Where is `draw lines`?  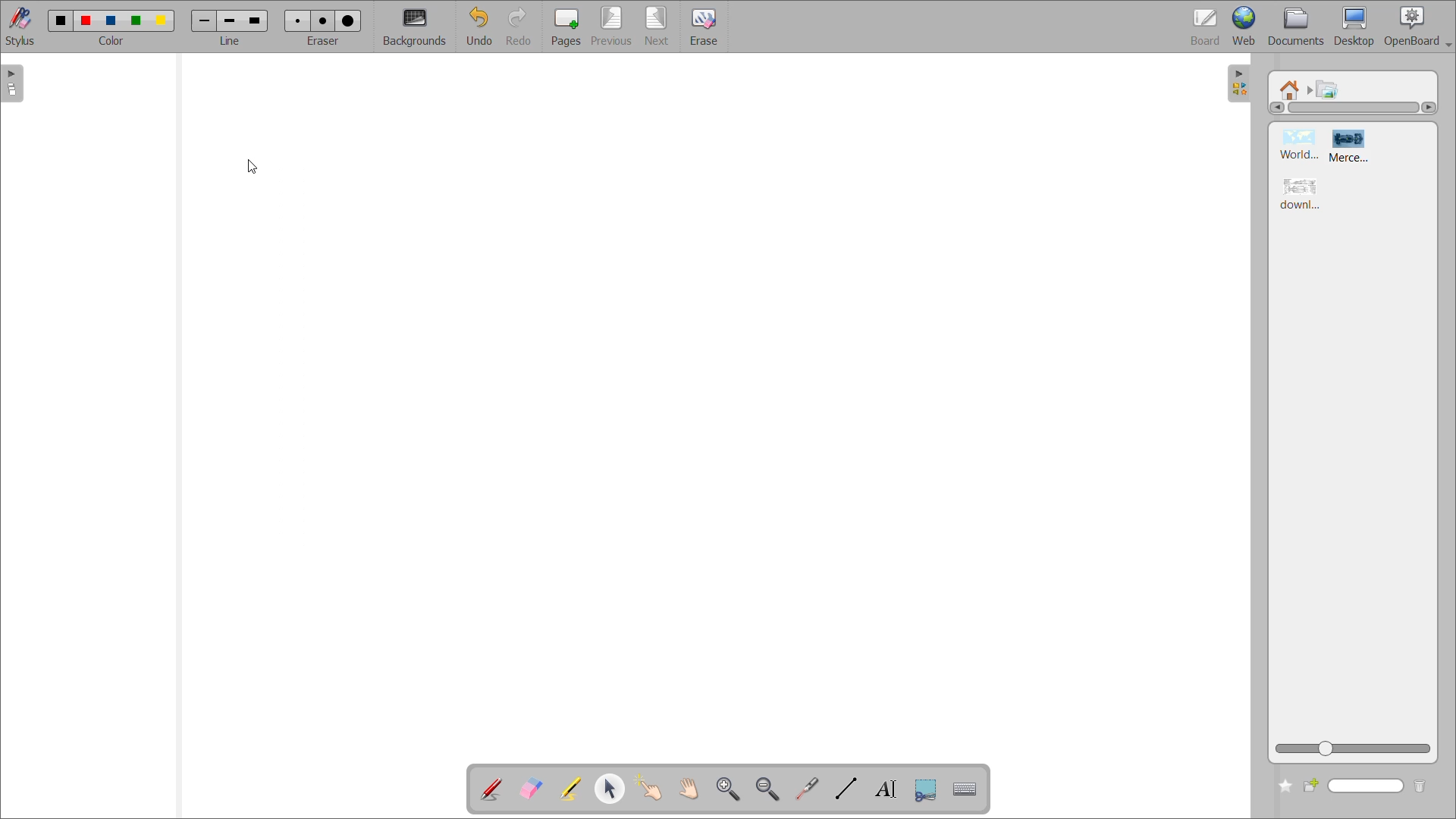
draw lines is located at coordinates (849, 788).